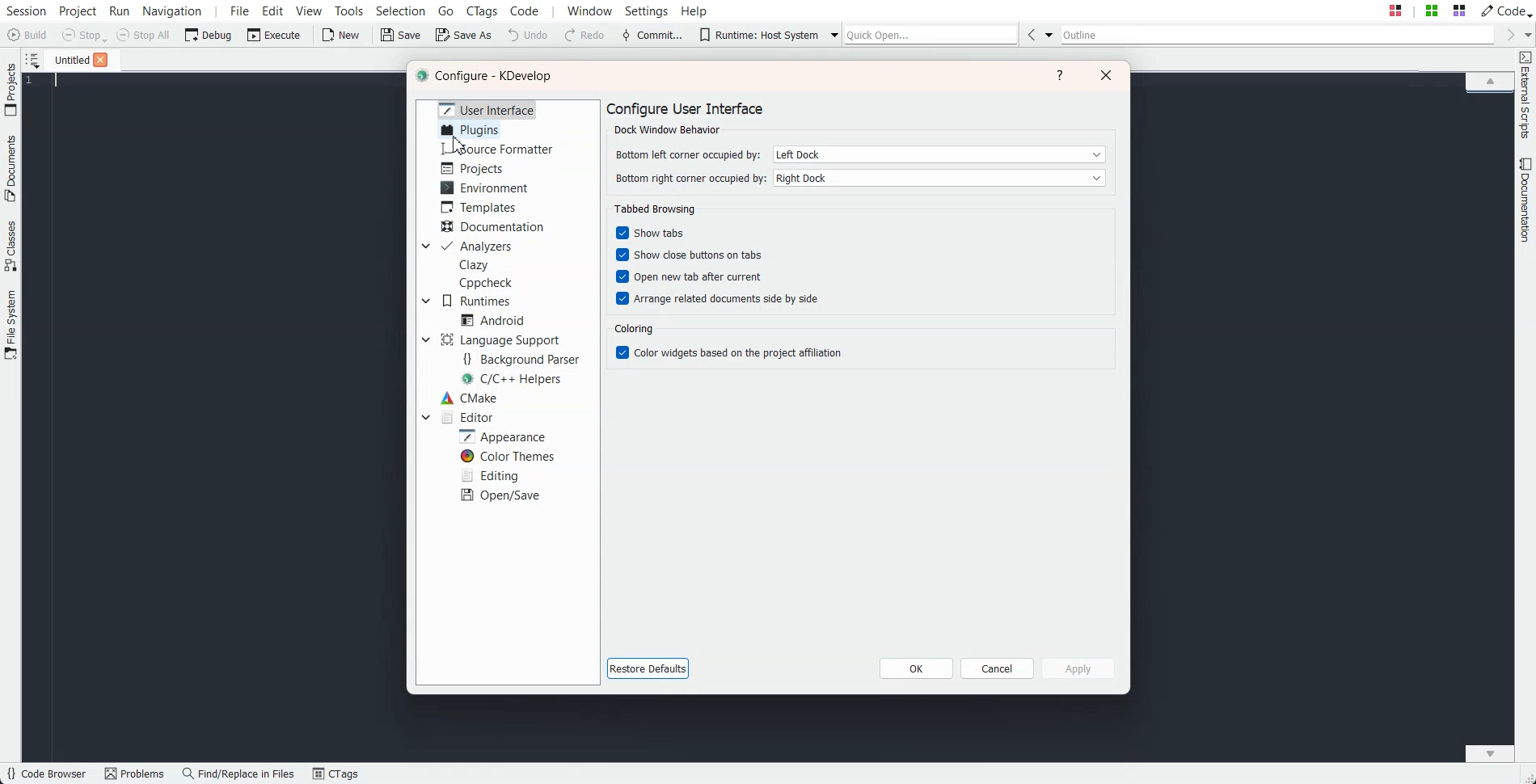 The width and height of the screenshot is (1536, 784). Describe the element at coordinates (715, 298) in the screenshot. I see `Arrange related documents side by side` at that location.